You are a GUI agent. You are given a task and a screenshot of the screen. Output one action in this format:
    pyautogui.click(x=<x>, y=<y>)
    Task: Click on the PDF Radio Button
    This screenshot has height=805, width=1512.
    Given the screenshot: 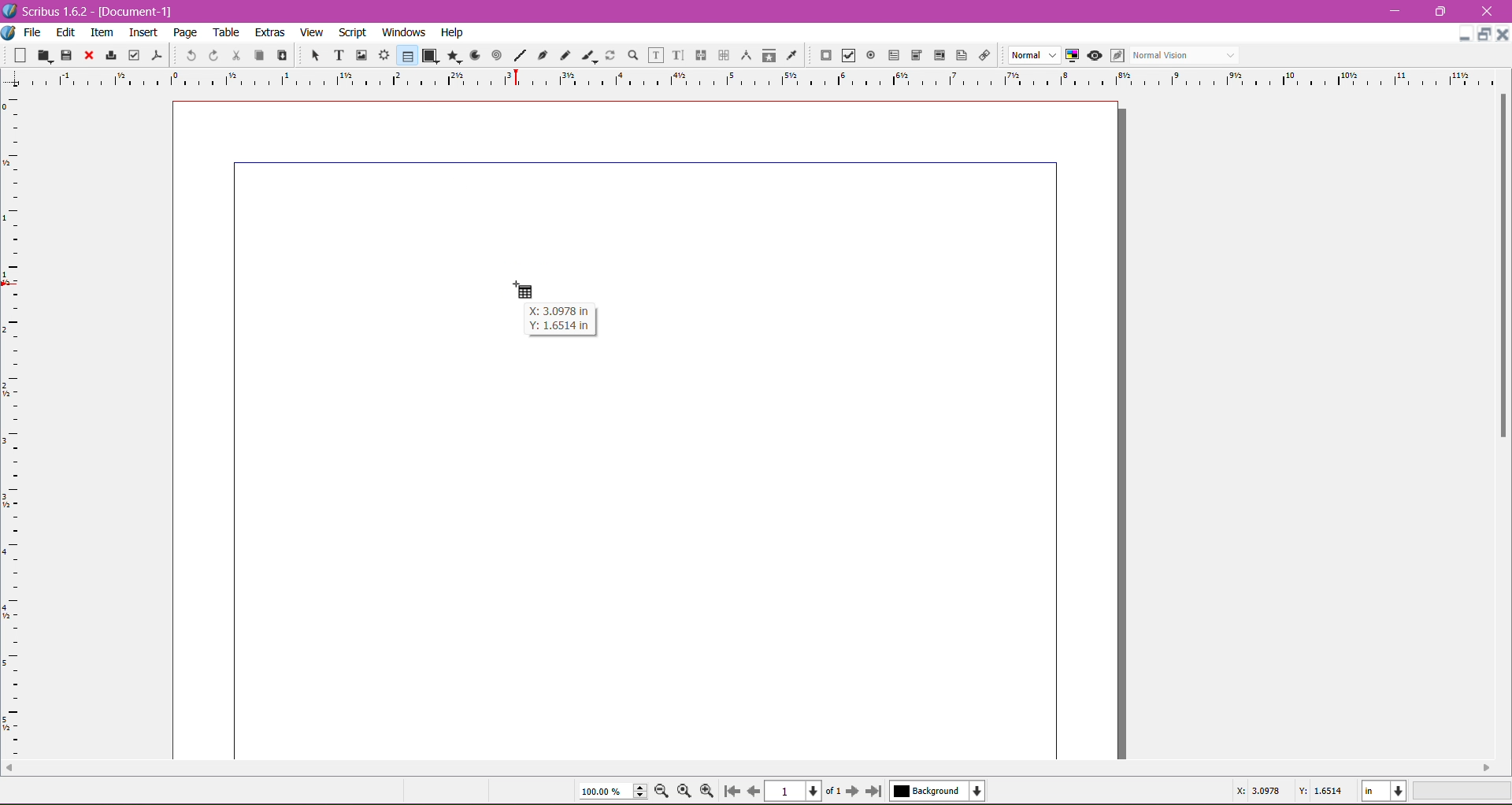 What is the action you would take?
    pyautogui.click(x=868, y=57)
    